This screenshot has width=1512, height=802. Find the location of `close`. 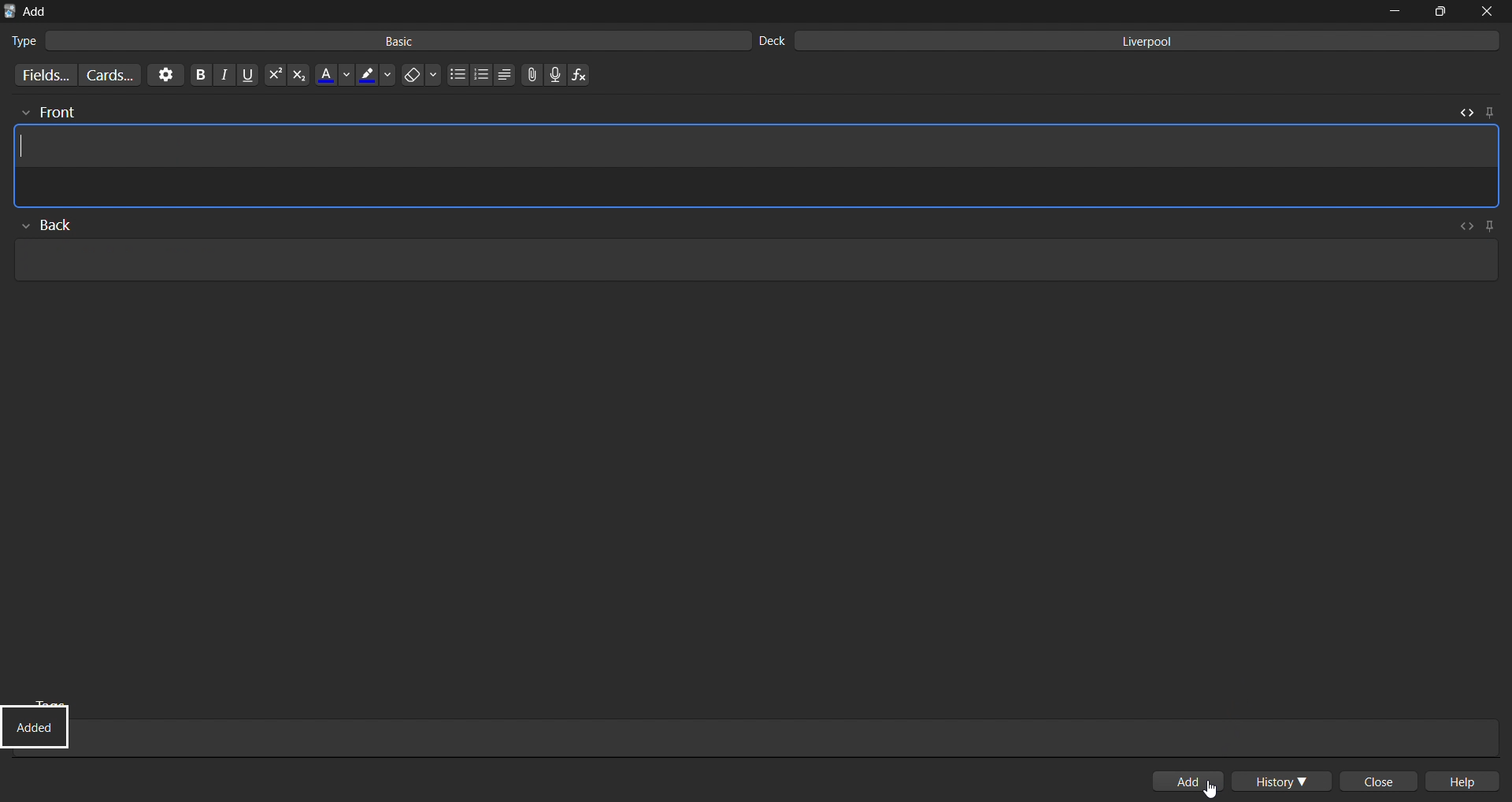

close is located at coordinates (1383, 782).